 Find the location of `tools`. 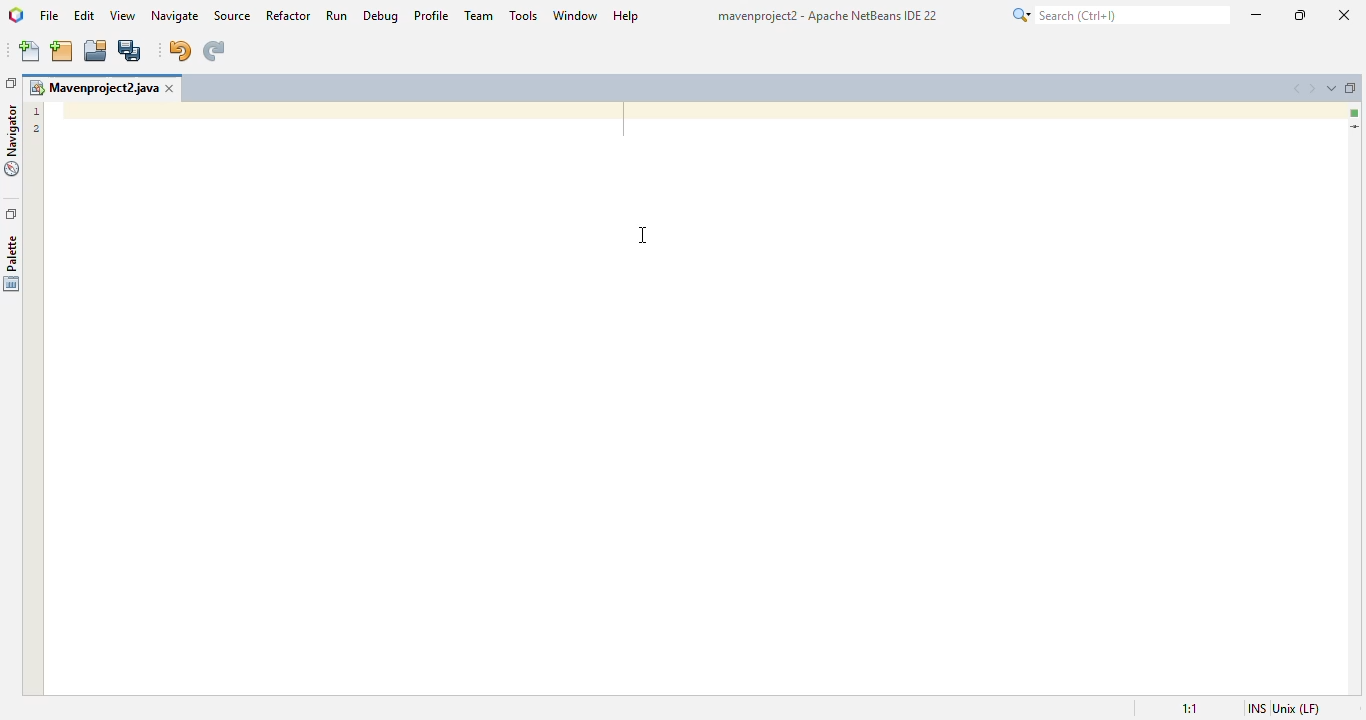

tools is located at coordinates (524, 15).